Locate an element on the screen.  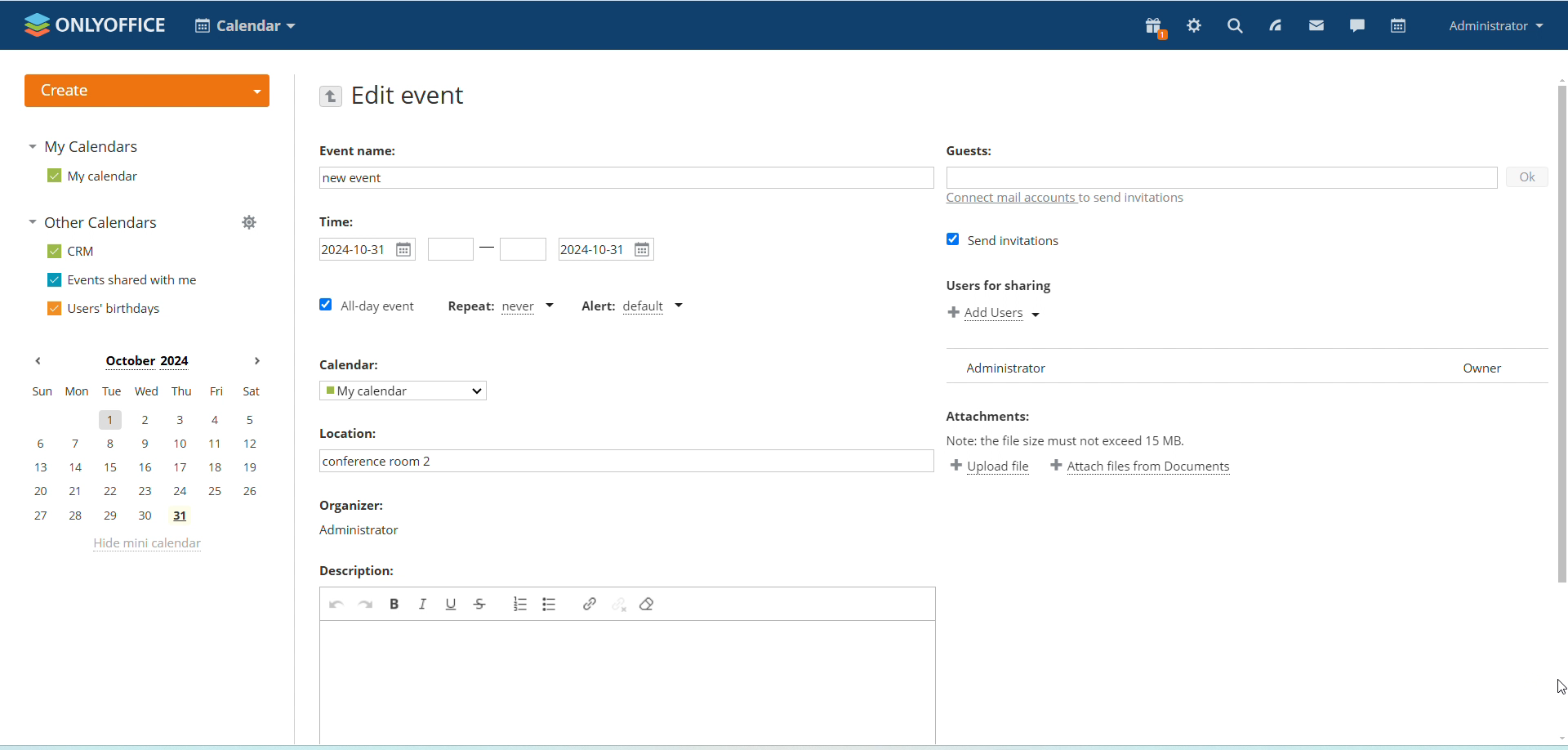
add/remove bulleted list is located at coordinates (551, 603).